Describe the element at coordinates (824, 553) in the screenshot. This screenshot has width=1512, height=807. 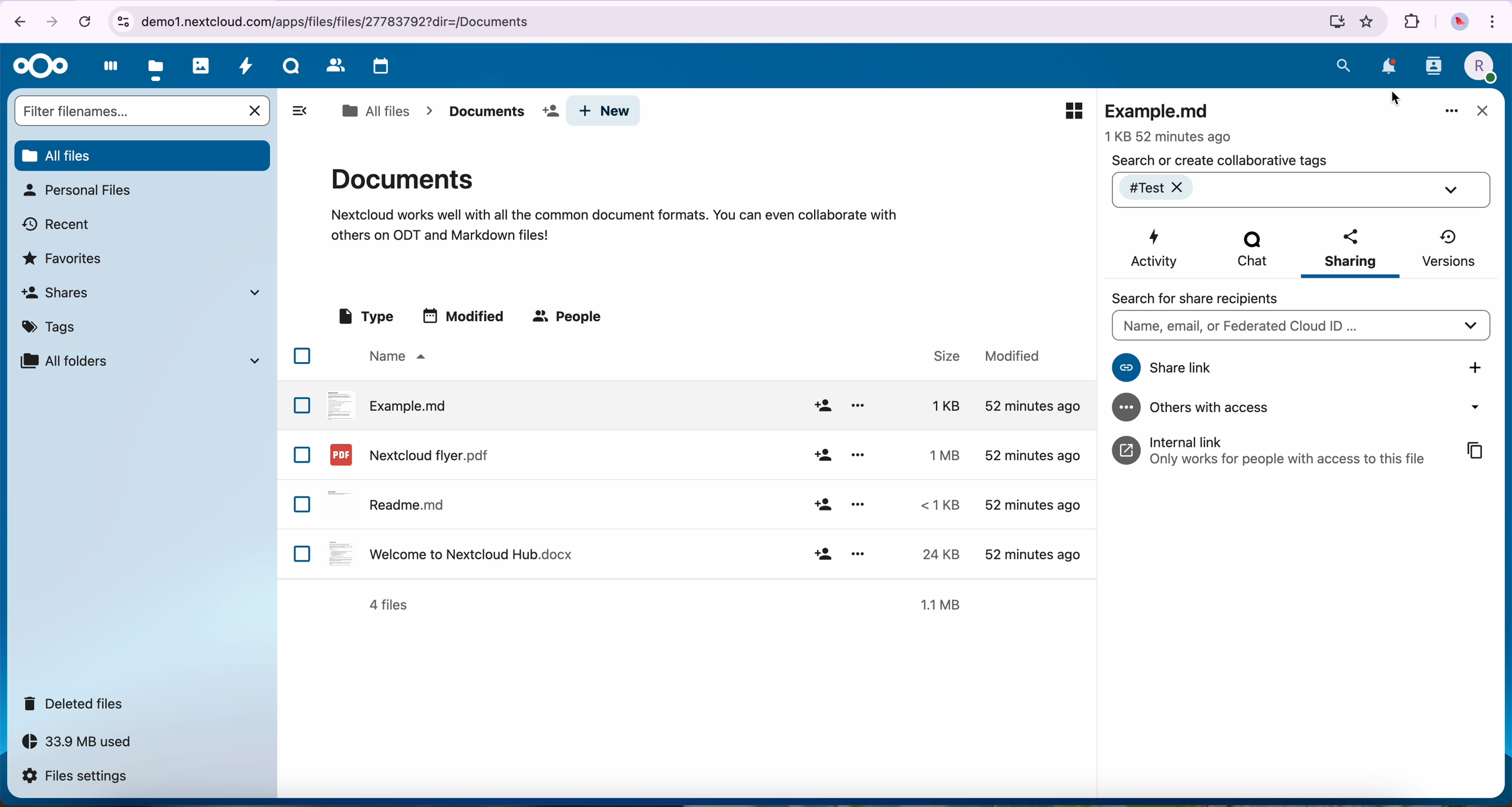
I see `add` at that location.